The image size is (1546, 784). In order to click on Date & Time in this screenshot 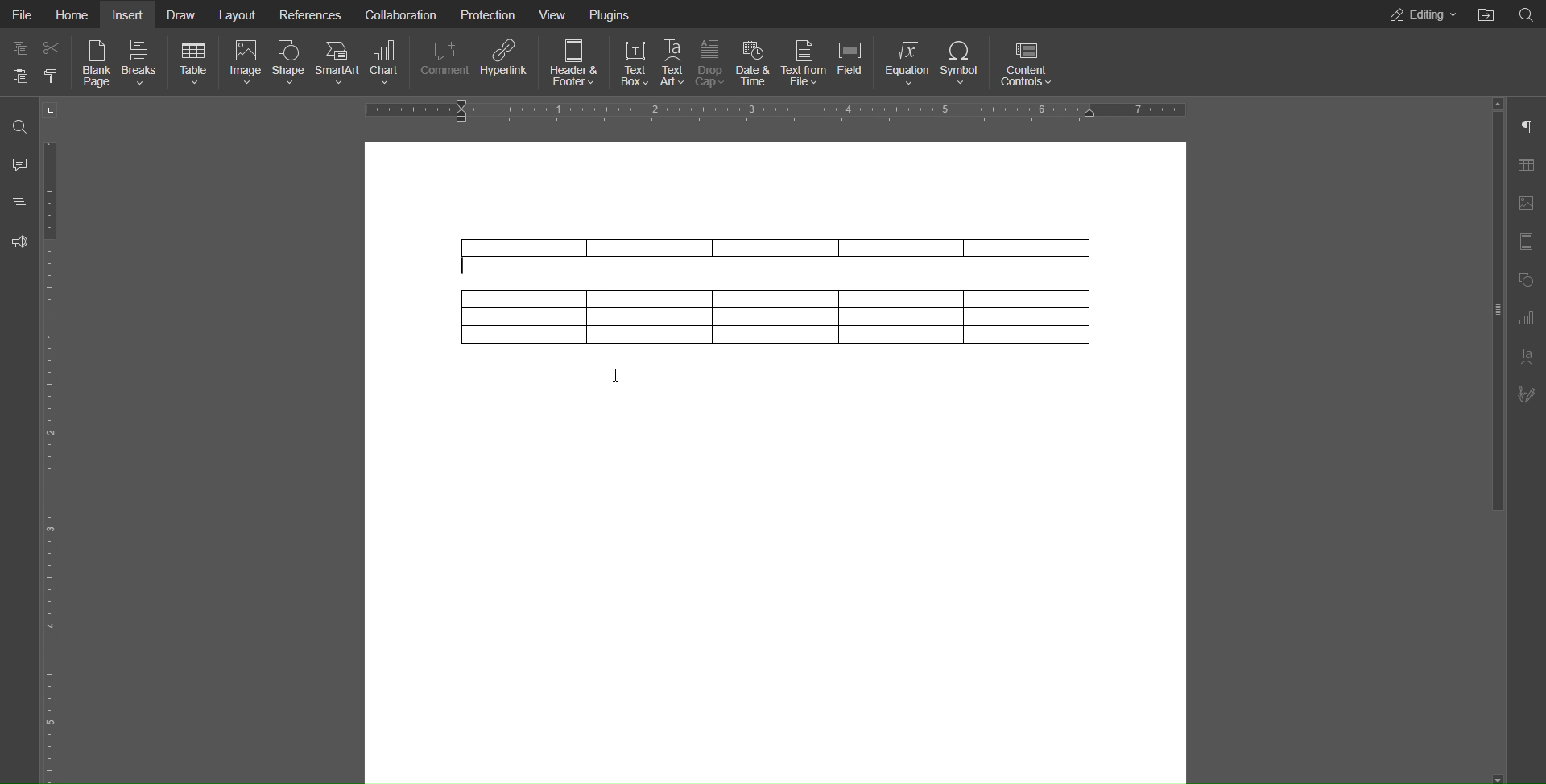, I will do `click(754, 64)`.